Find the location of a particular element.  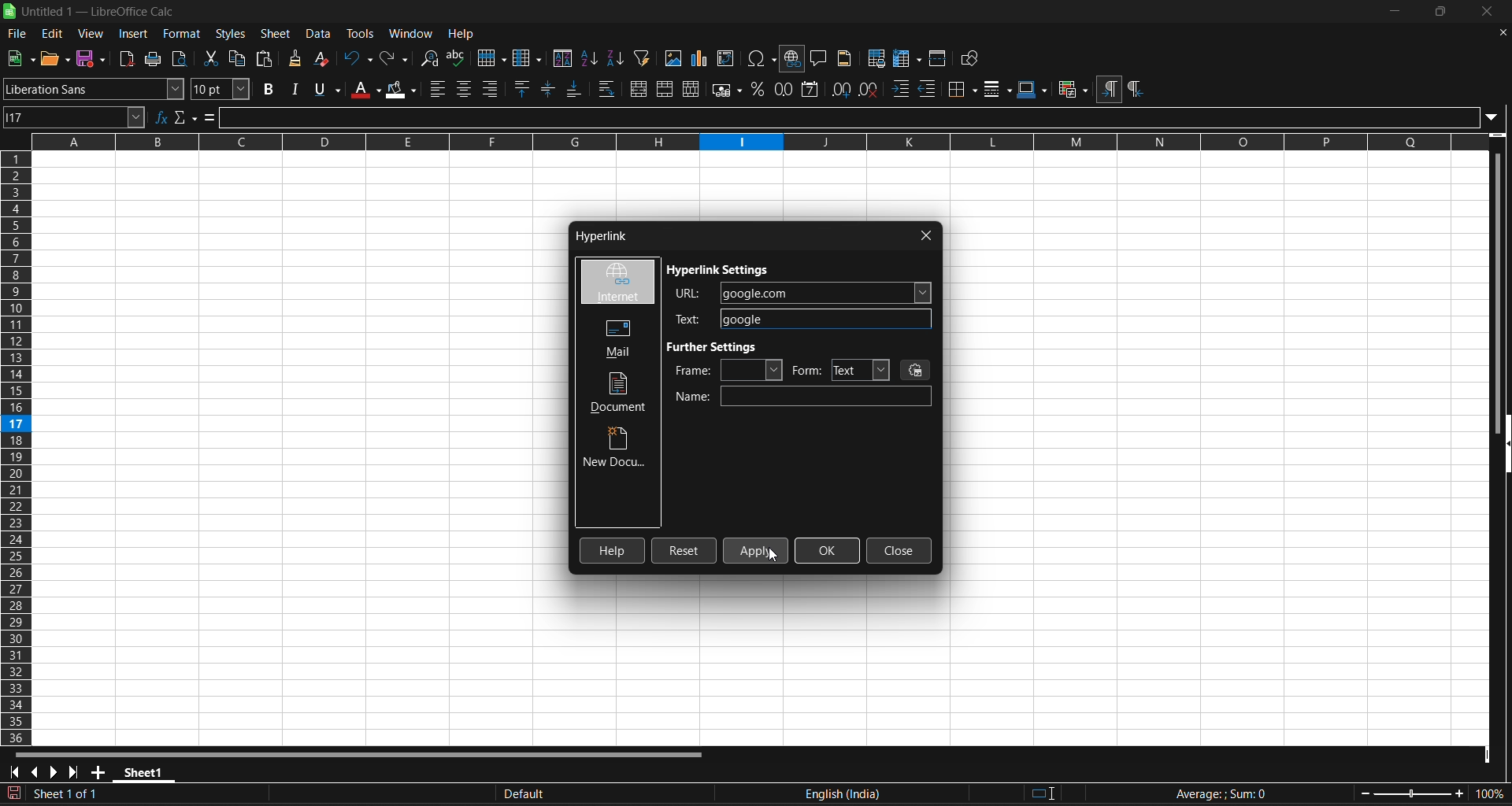

add decimal place is located at coordinates (839, 89).